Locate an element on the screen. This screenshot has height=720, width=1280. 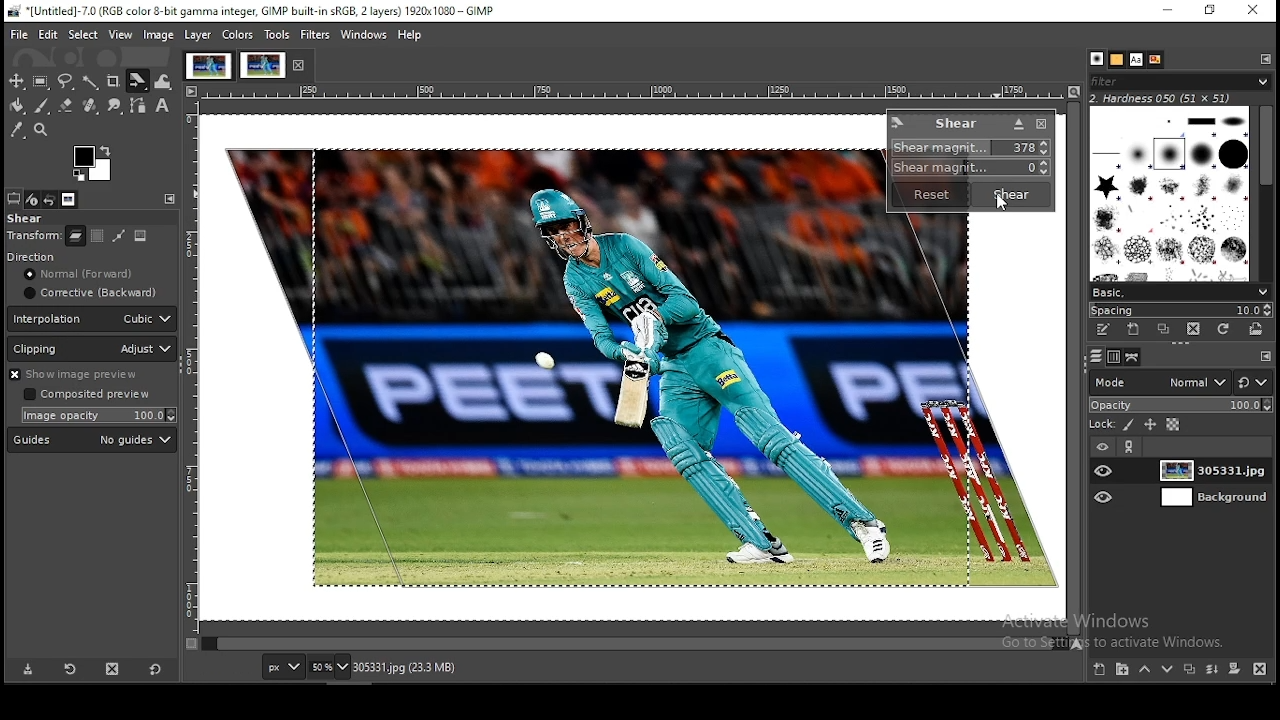
delete this layer is located at coordinates (112, 668).